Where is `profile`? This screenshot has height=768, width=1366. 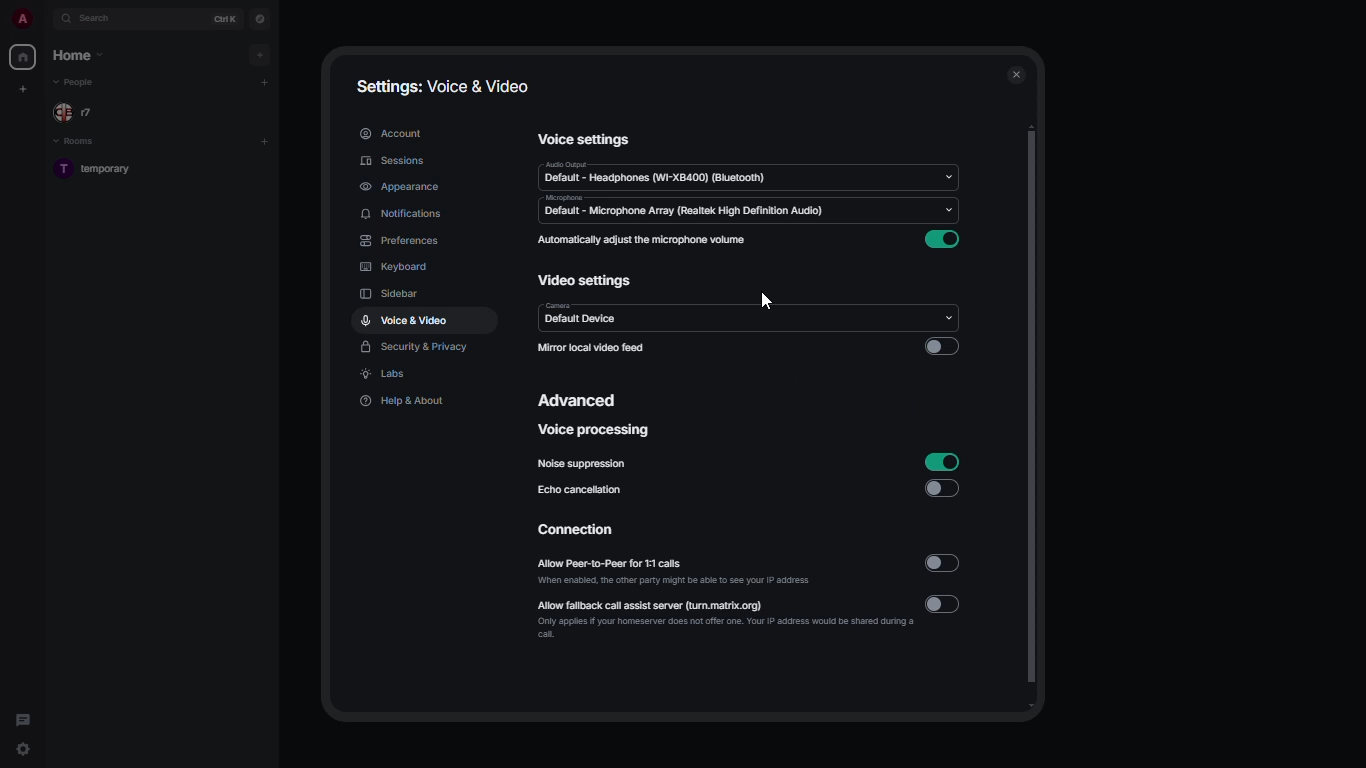 profile is located at coordinates (19, 19).